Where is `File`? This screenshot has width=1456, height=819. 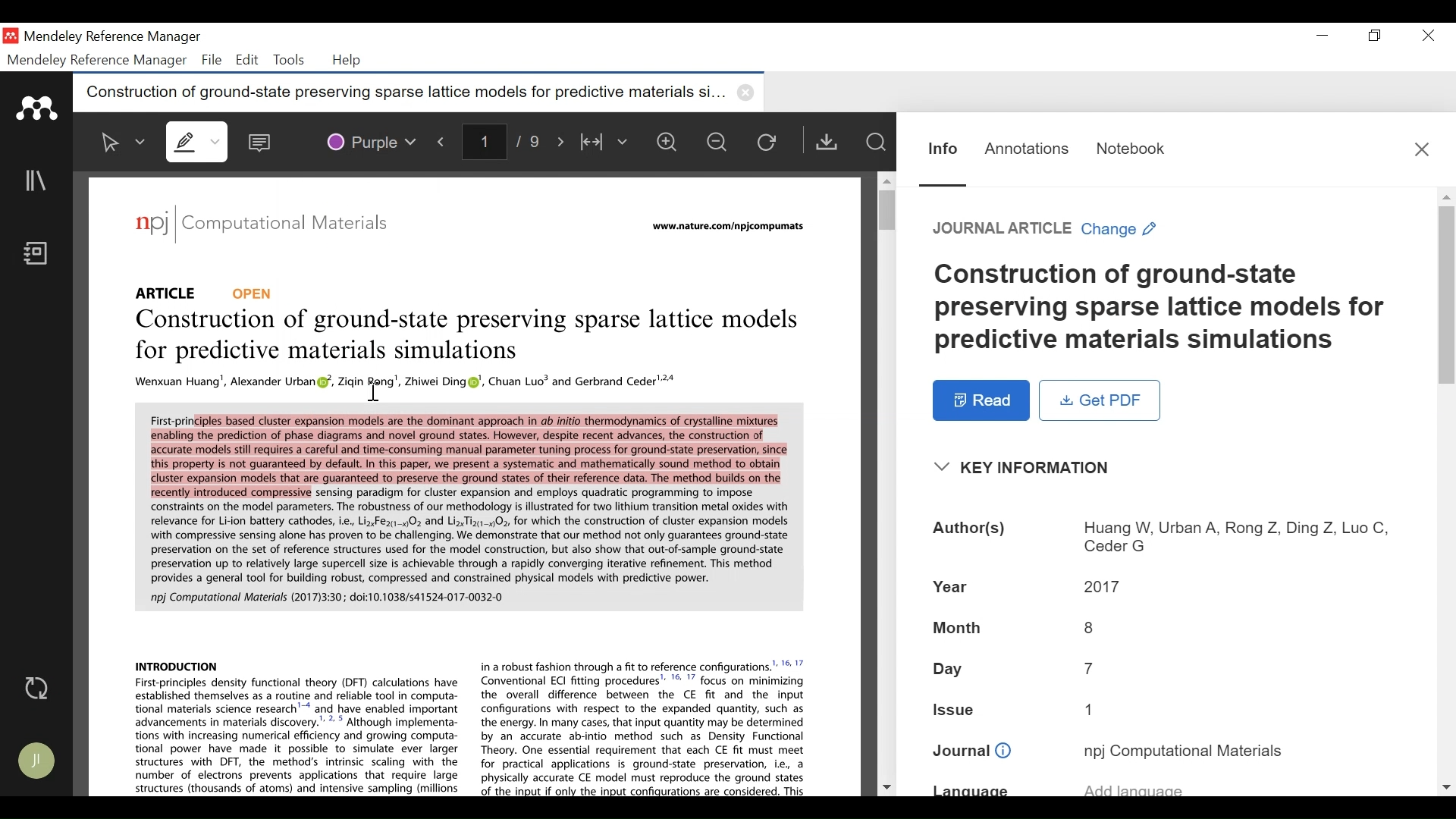
File is located at coordinates (212, 61).